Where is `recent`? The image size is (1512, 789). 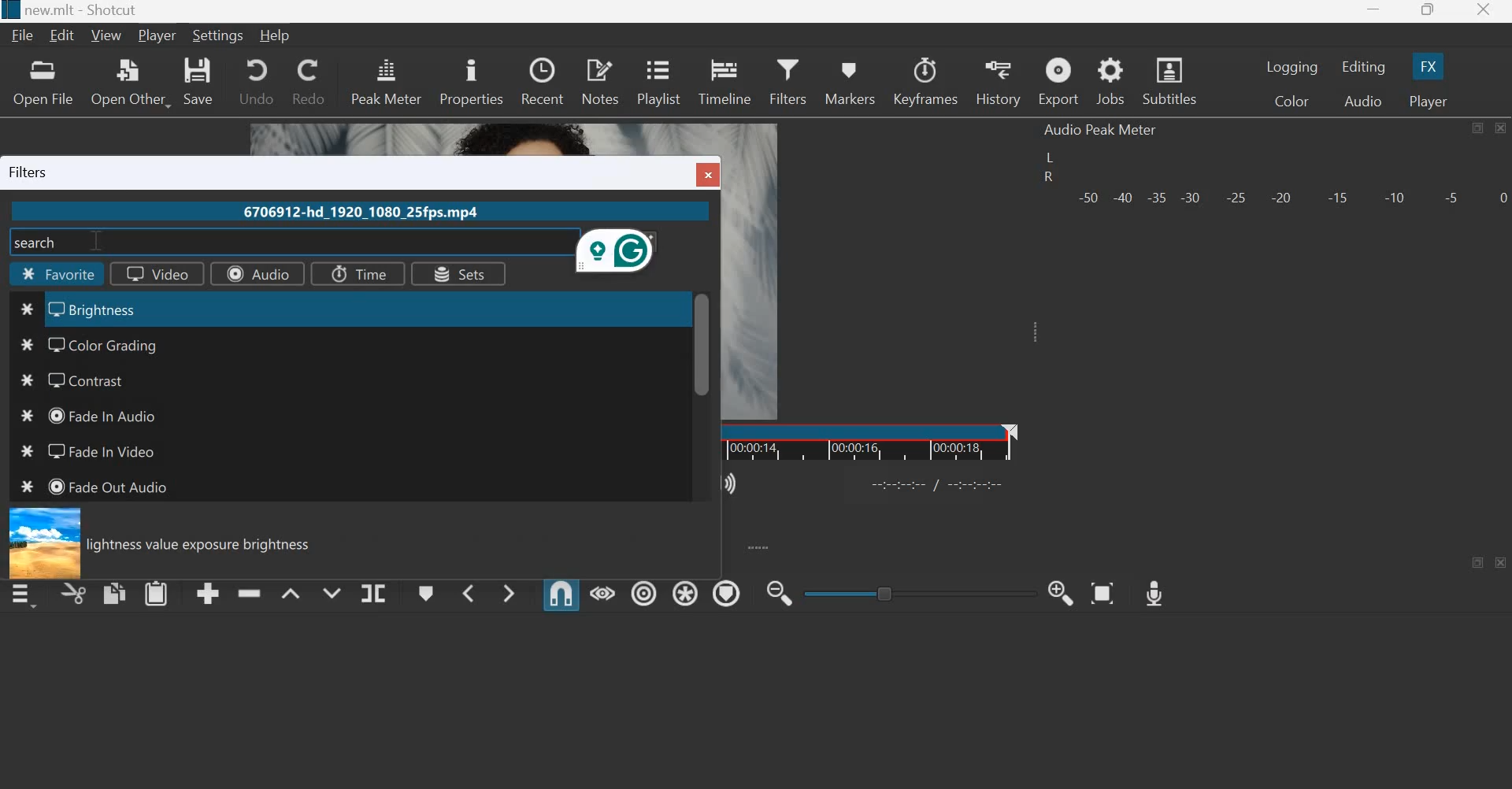 recent is located at coordinates (542, 79).